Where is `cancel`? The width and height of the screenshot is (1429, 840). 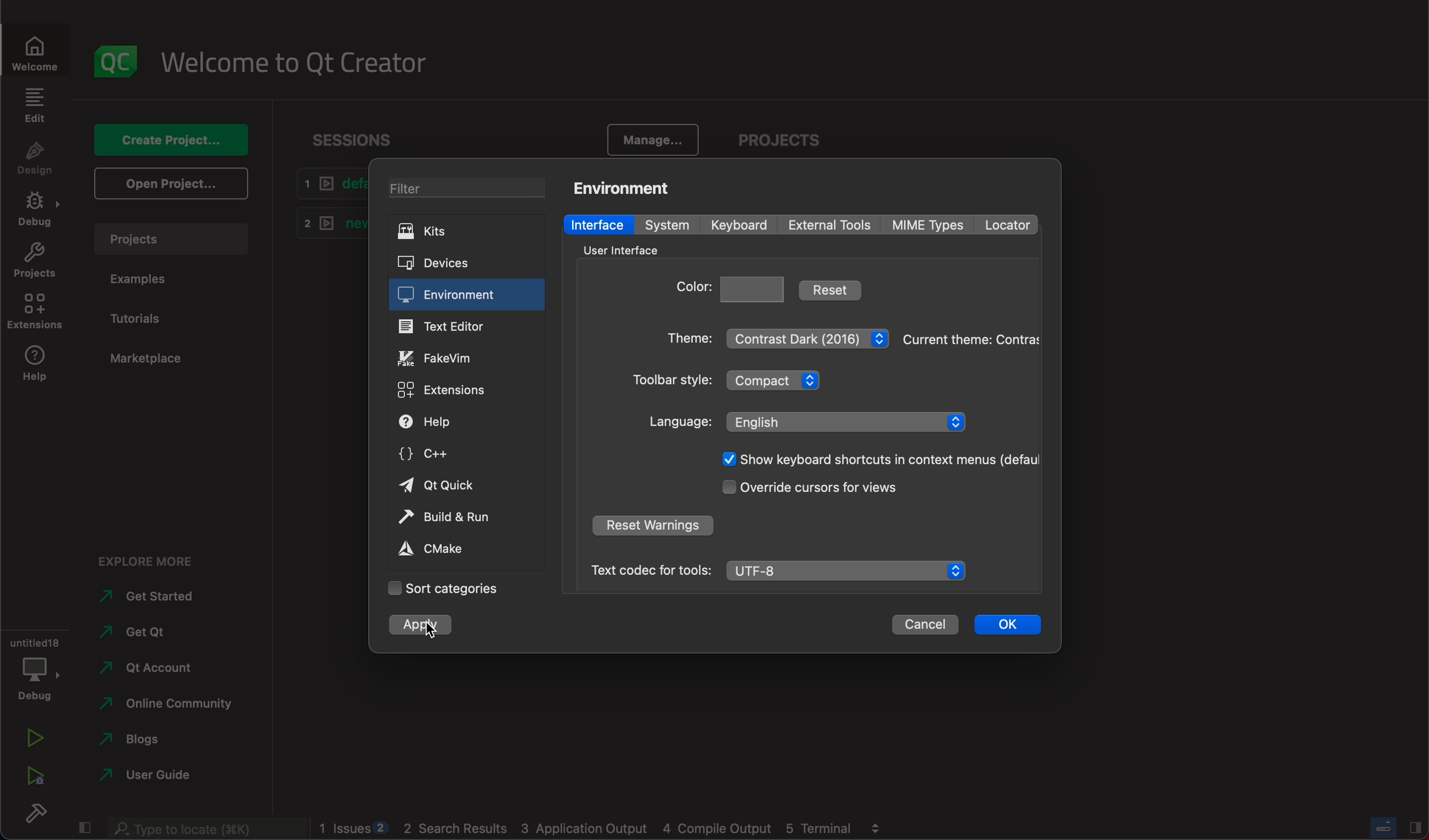 cancel is located at coordinates (925, 627).